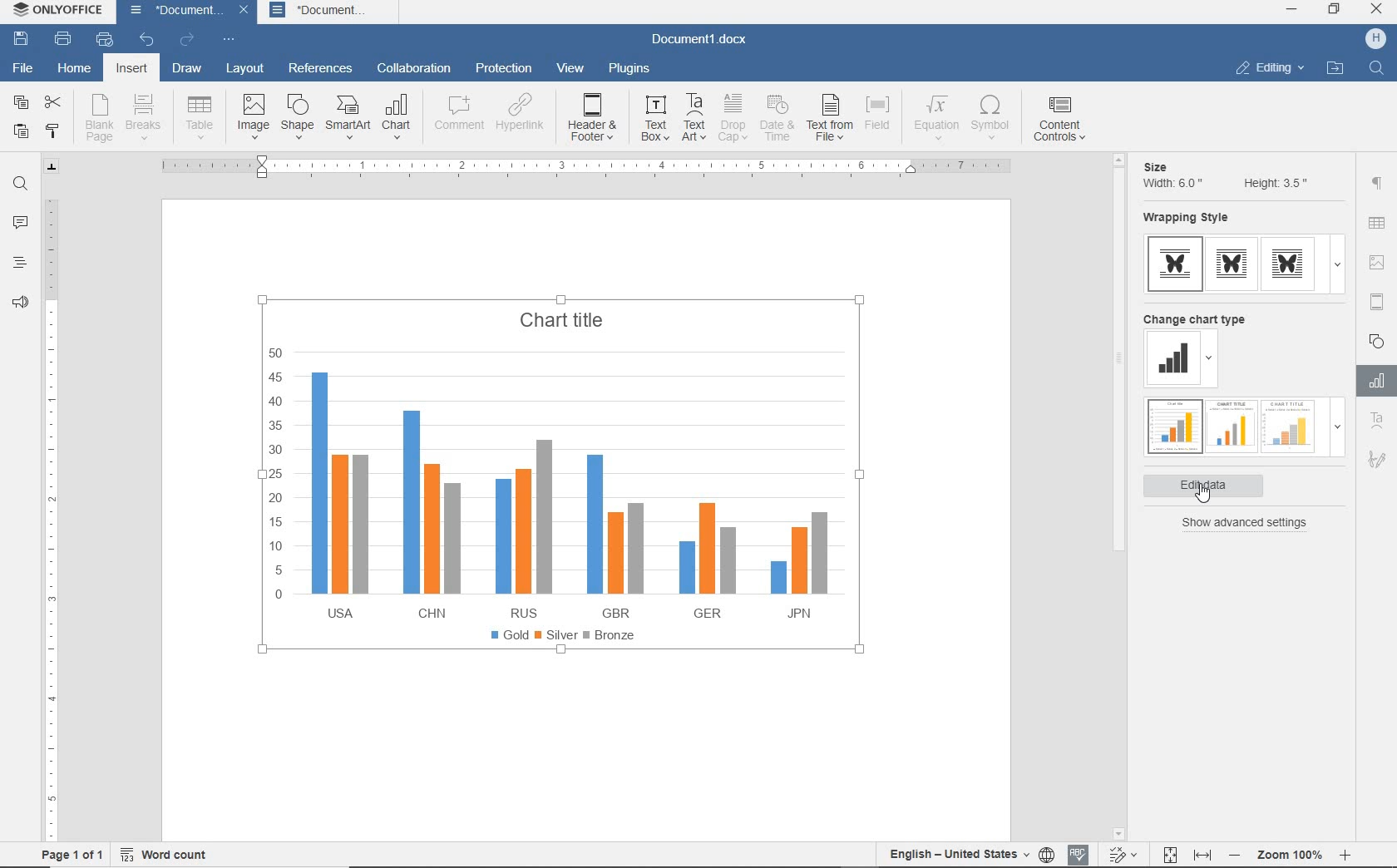 The width and height of the screenshot is (1397, 868). What do you see at coordinates (1337, 264) in the screenshot?
I see `dropdown` at bounding box center [1337, 264].